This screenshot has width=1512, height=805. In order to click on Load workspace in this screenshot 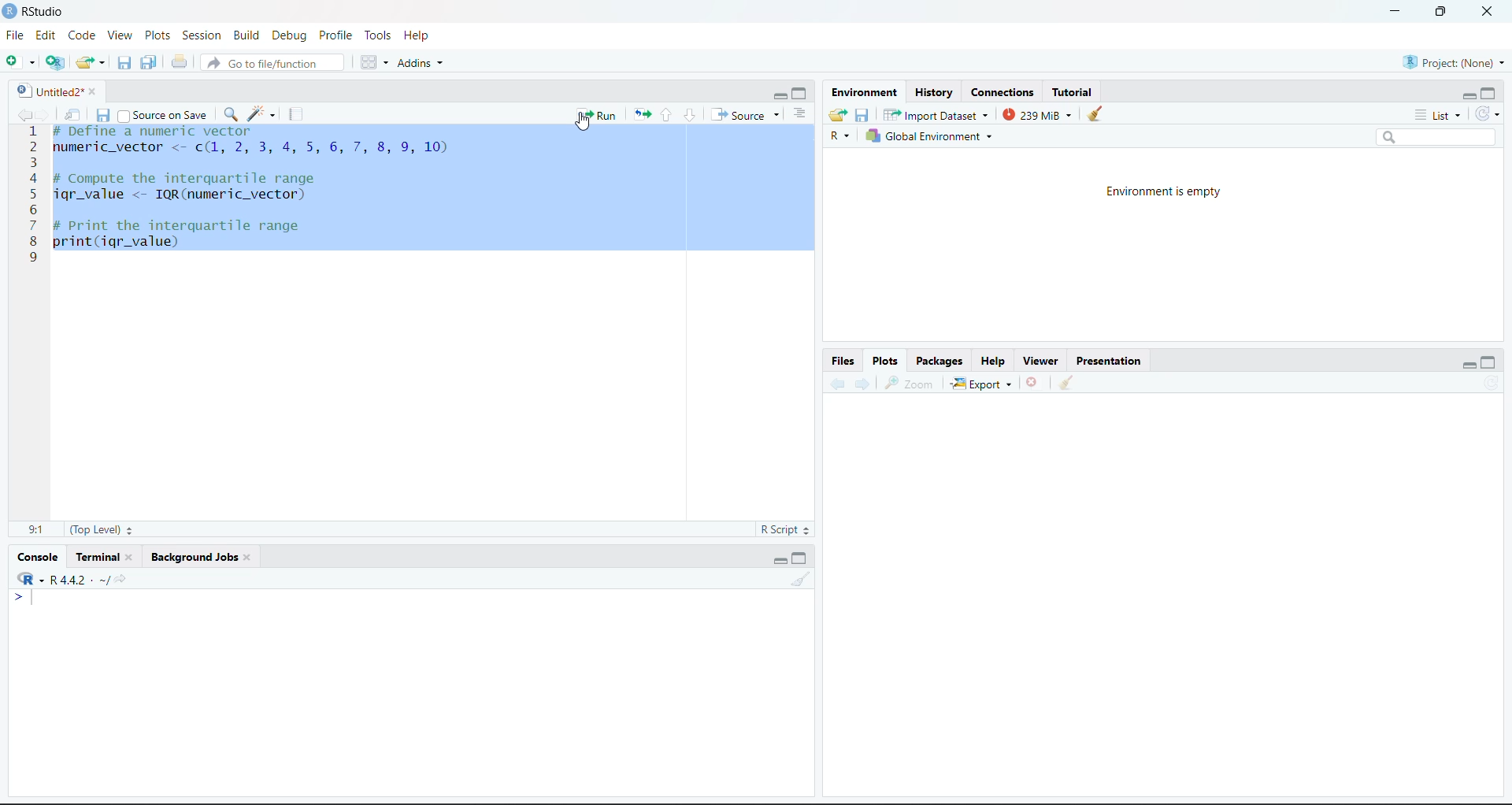, I will do `click(838, 117)`.